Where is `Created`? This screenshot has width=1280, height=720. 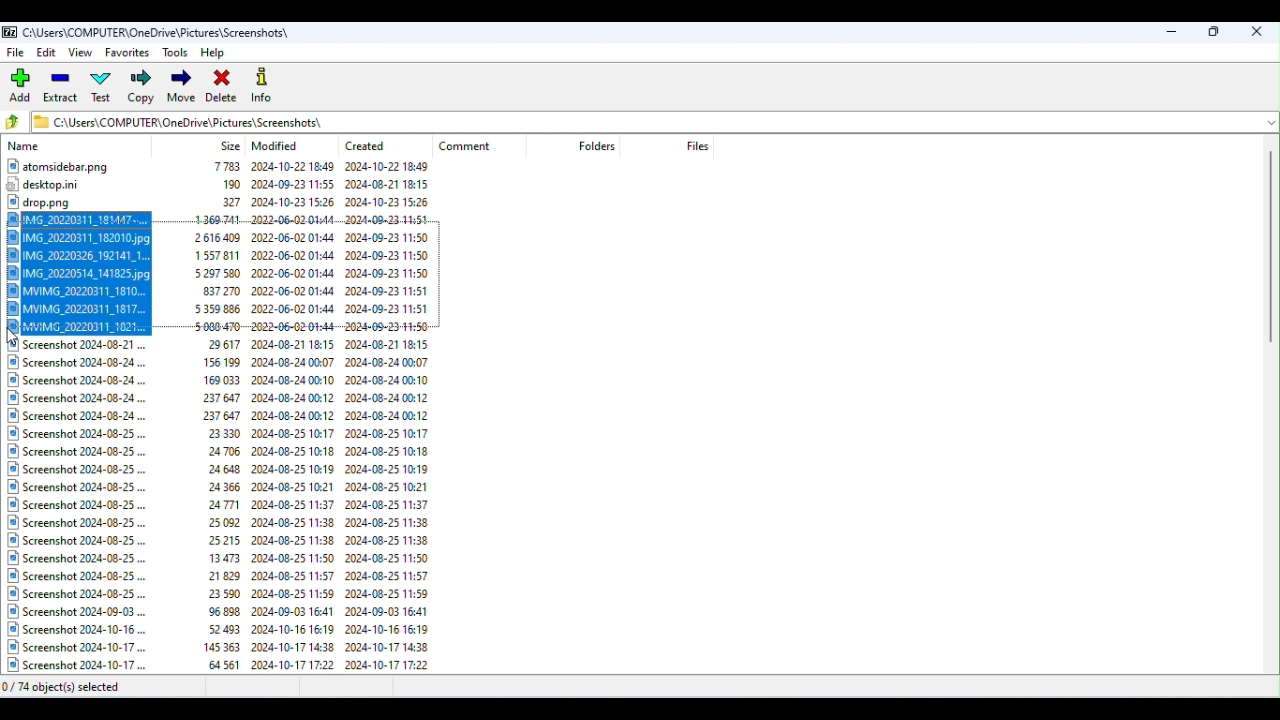 Created is located at coordinates (372, 142).